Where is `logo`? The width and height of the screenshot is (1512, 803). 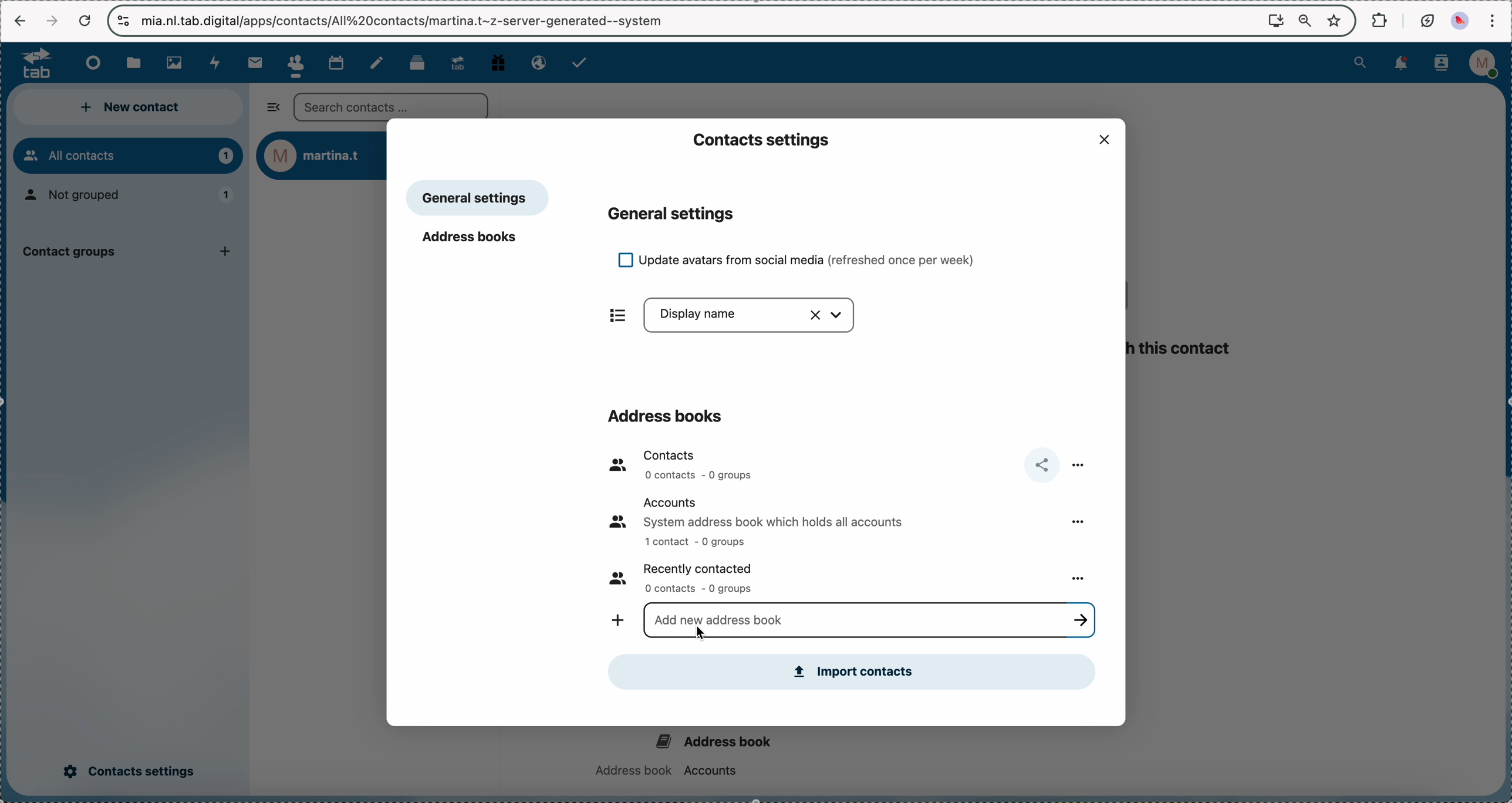 logo is located at coordinates (29, 63).